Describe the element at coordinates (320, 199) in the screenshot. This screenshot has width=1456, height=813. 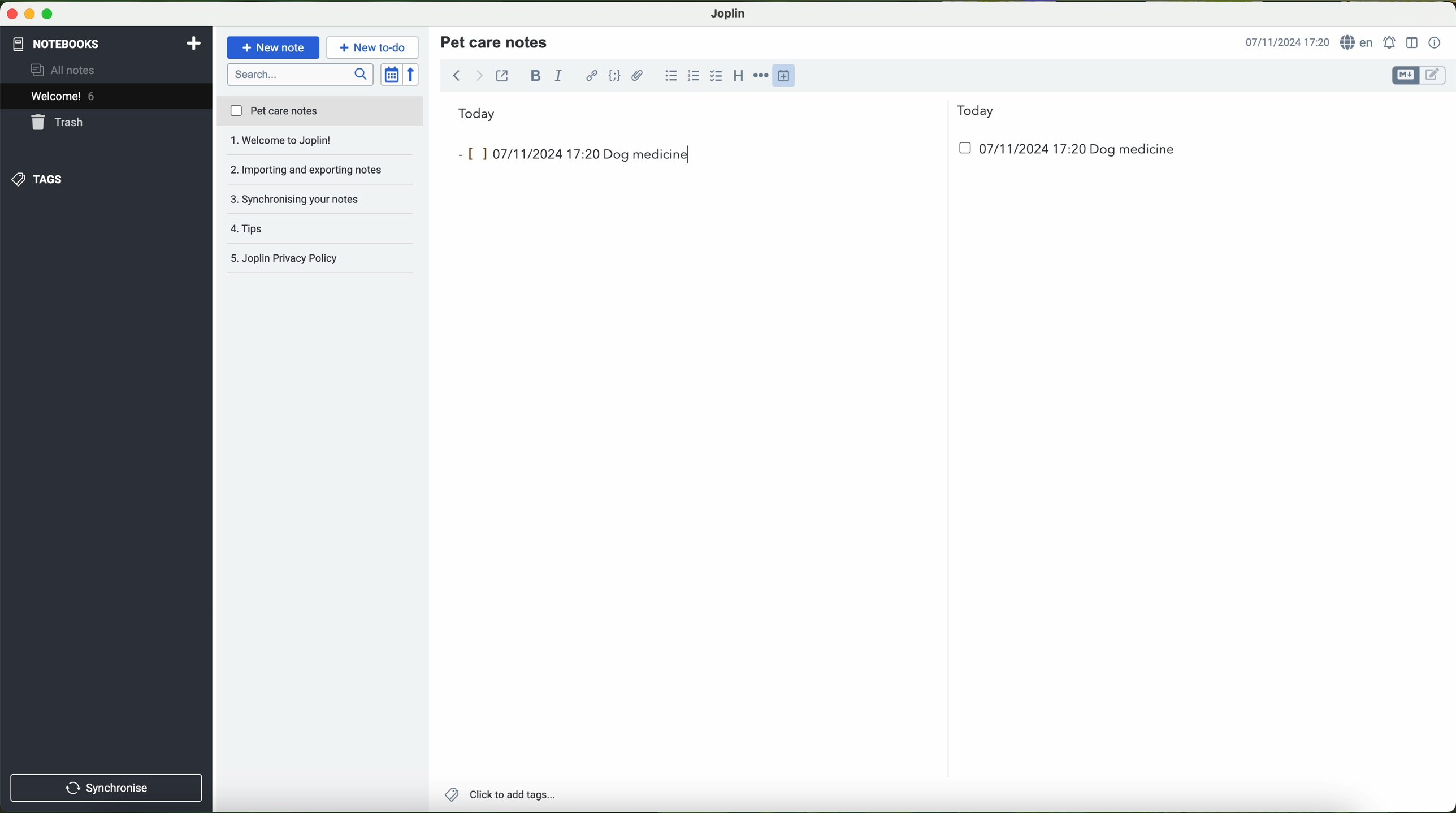
I see `tips` at that location.